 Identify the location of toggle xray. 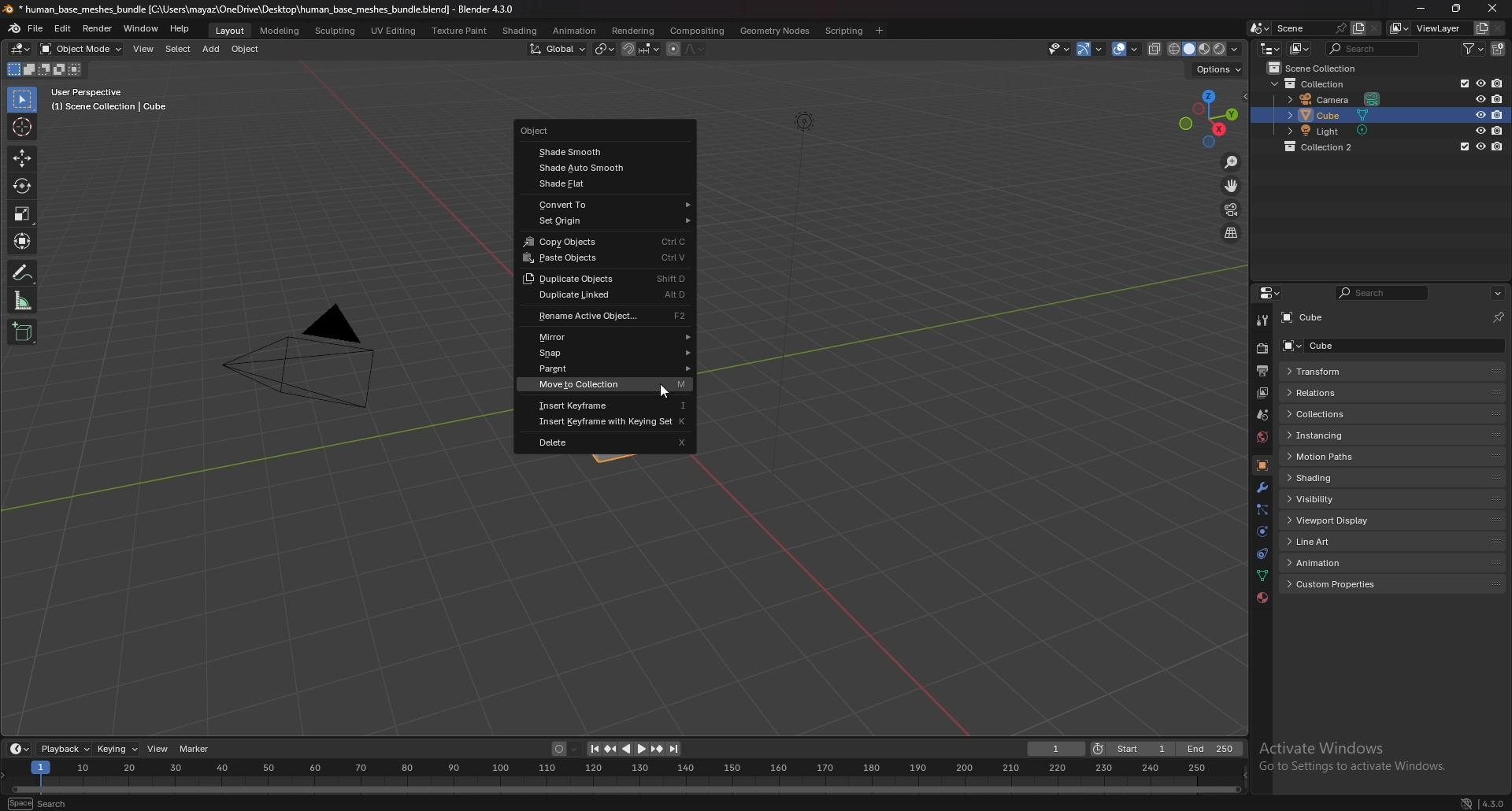
(1155, 49).